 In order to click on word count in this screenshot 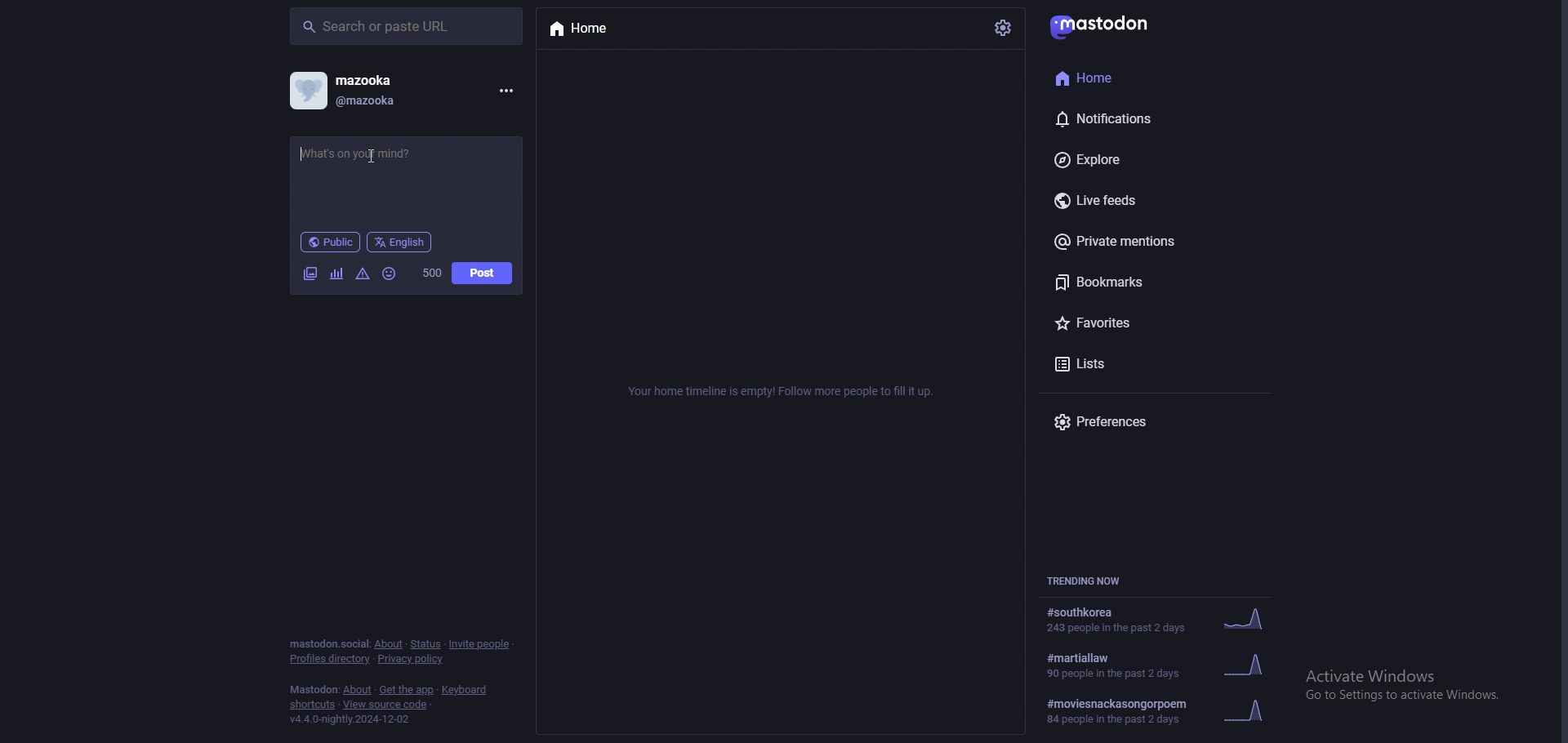, I will do `click(432, 273)`.